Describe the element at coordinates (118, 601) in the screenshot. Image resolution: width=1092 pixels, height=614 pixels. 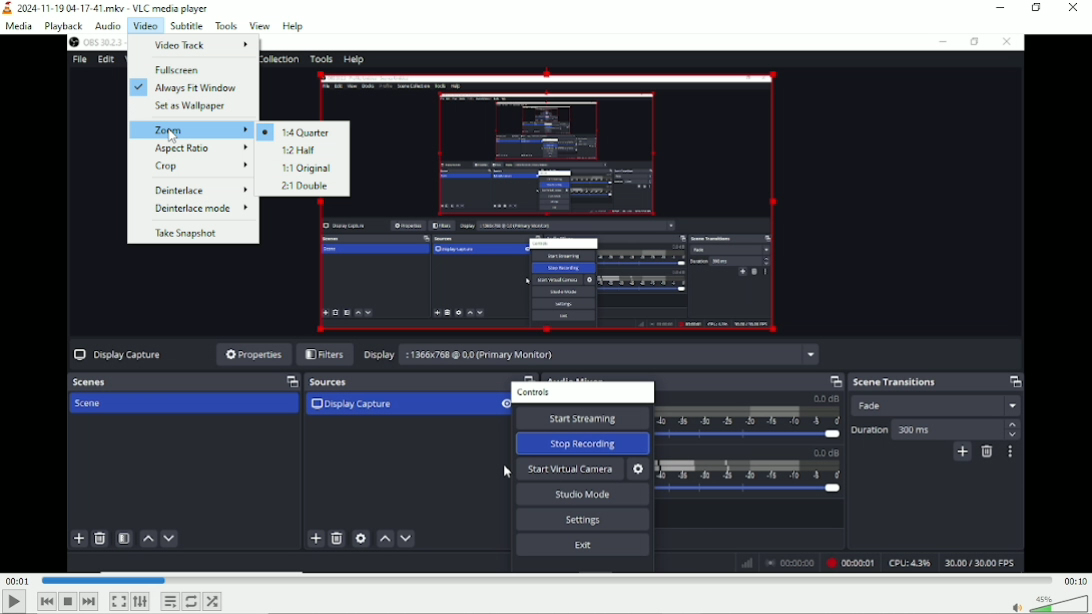
I see `` at that location.